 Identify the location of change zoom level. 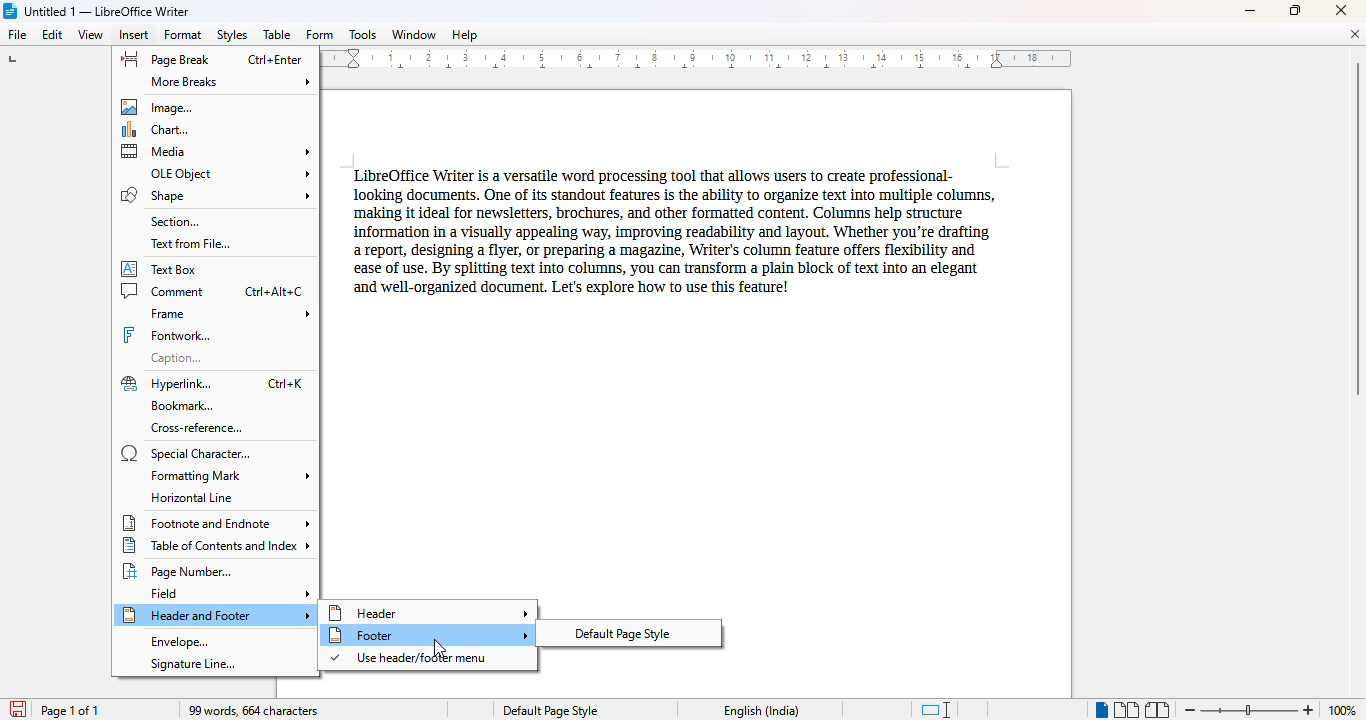
(1247, 708).